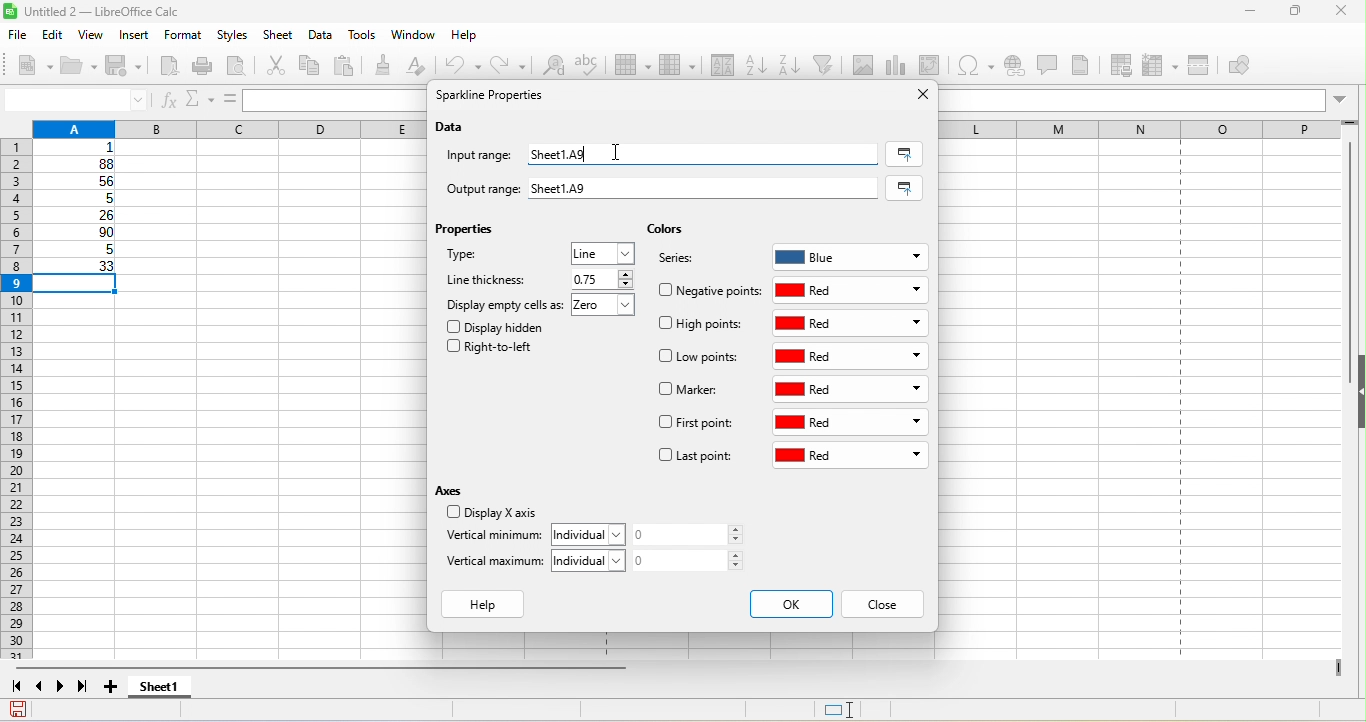 The width and height of the screenshot is (1366, 722). I want to click on print preview, so click(243, 67).